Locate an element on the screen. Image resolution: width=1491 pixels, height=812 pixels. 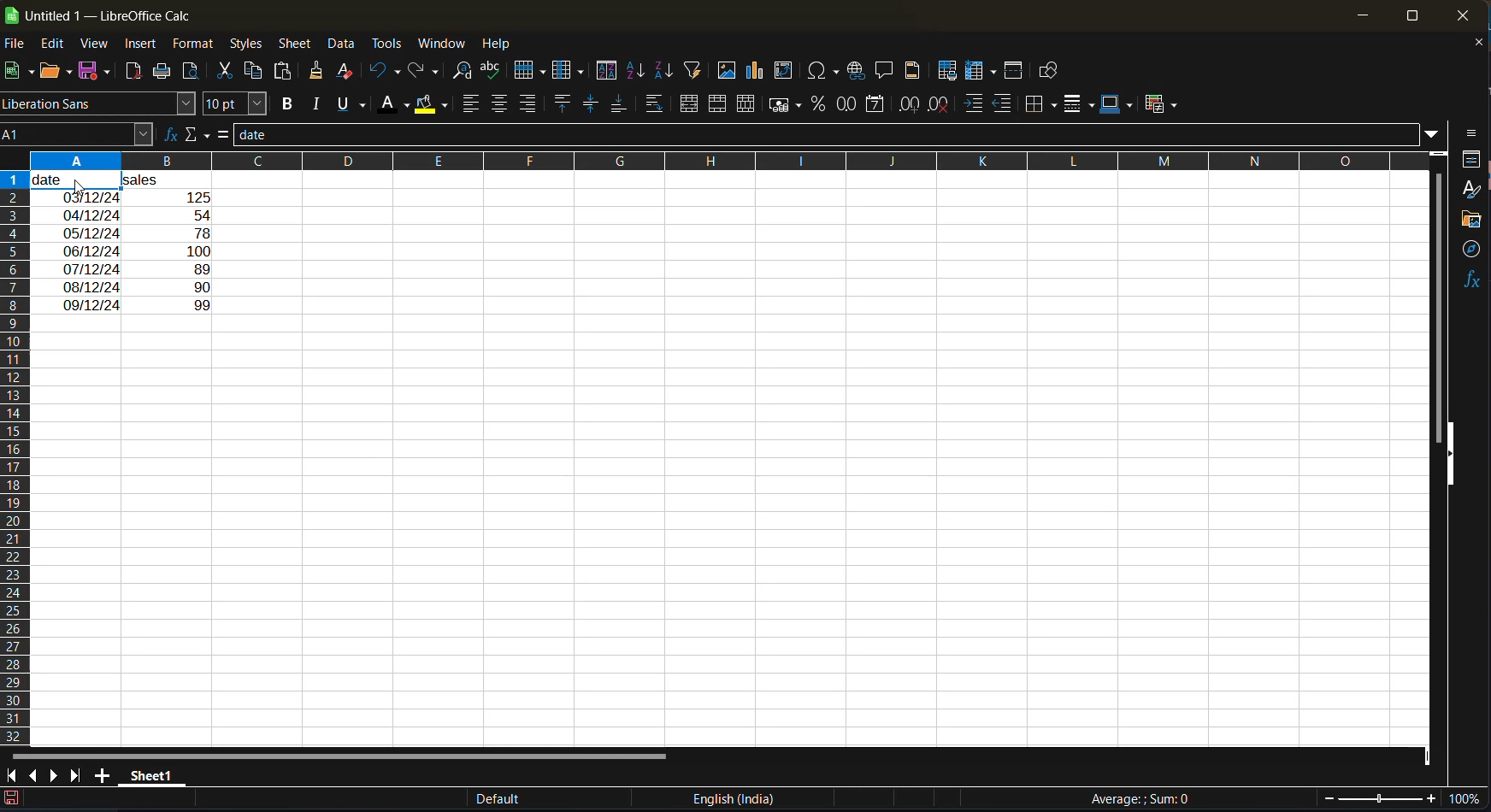
decrease indent is located at coordinates (1002, 102).